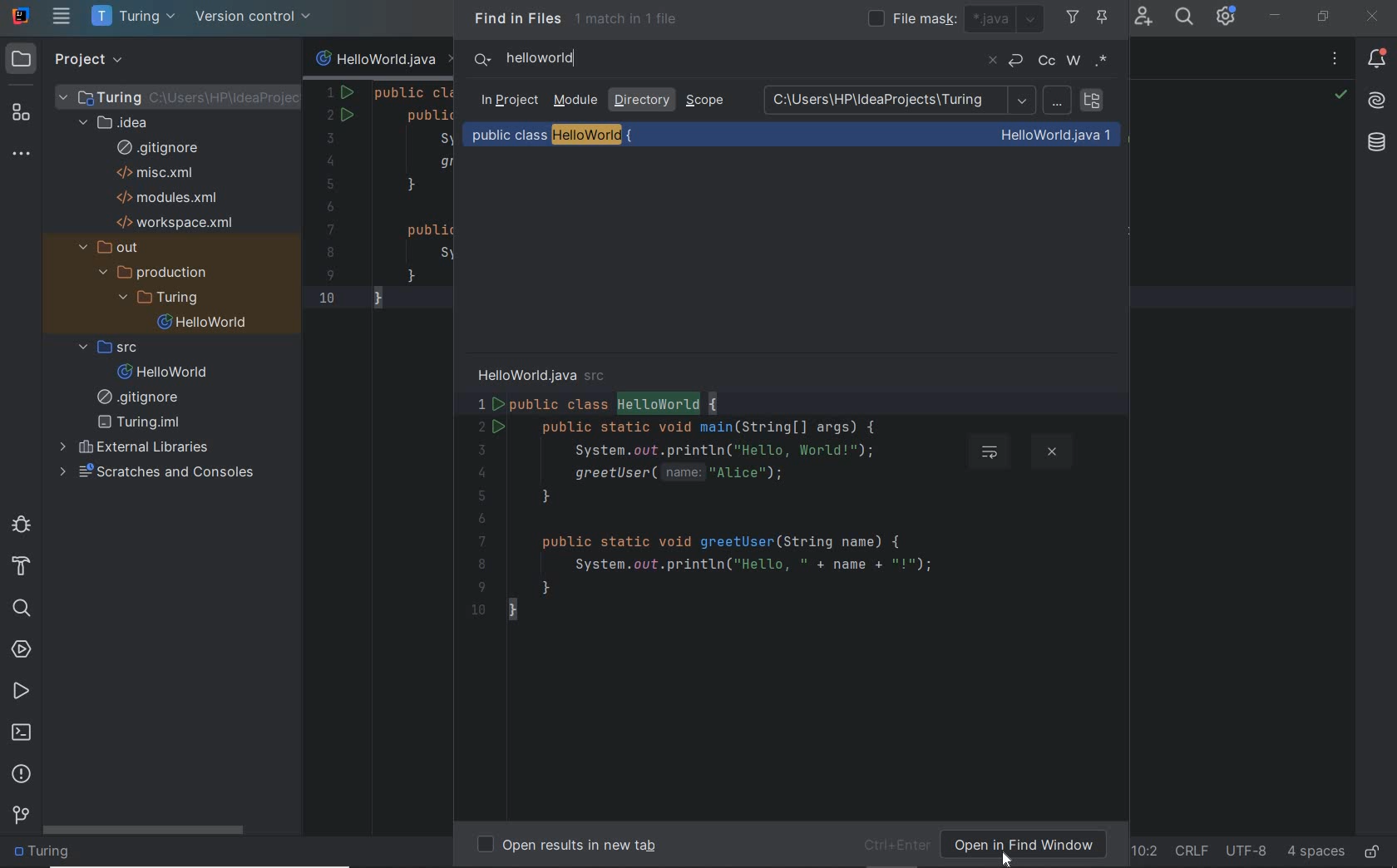  I want to click on public class HelloWorld, so click(795, 137).